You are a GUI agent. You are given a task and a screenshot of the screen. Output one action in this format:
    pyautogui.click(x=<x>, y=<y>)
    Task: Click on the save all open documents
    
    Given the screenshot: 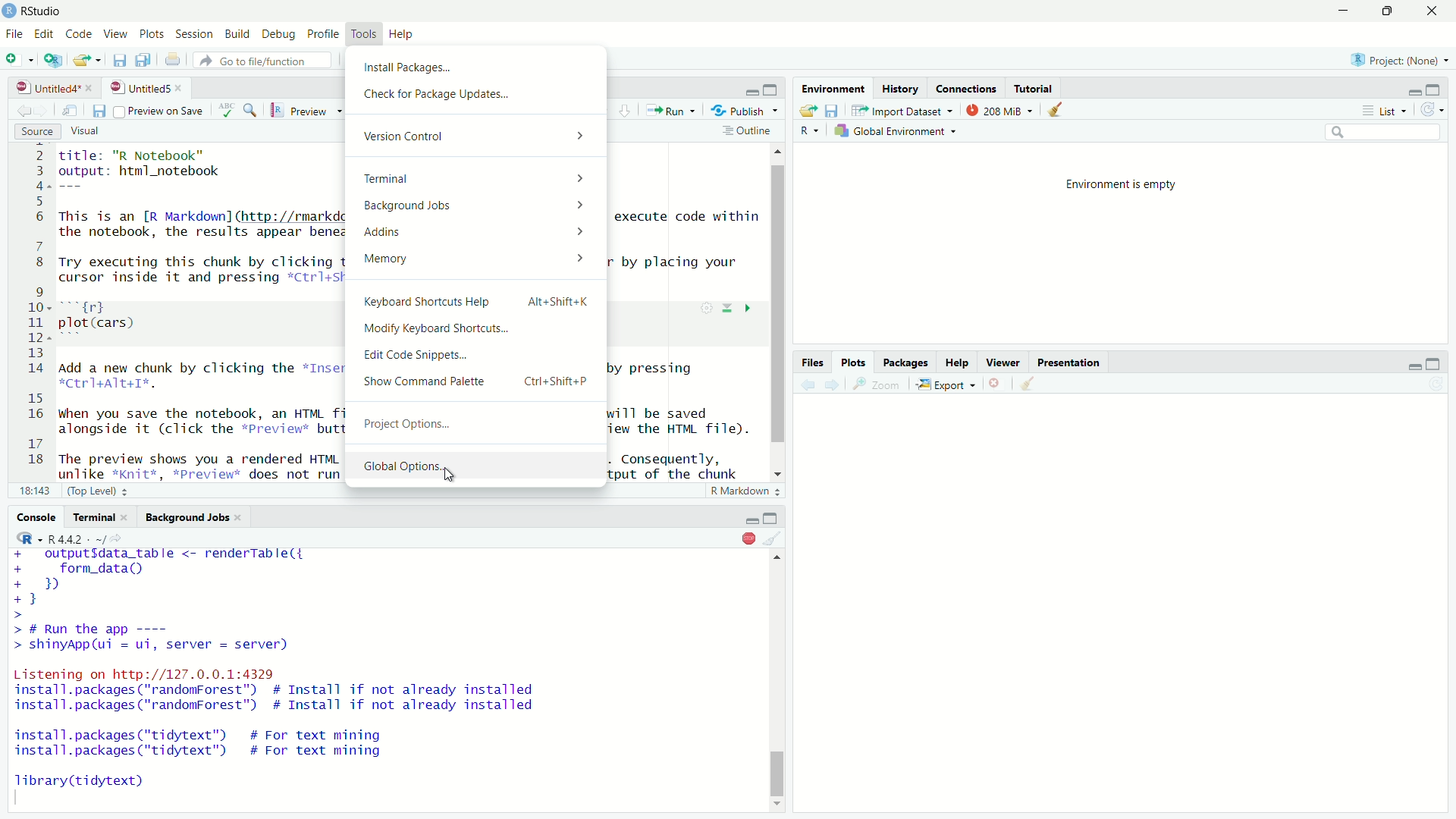 What is the action you would take?
    pyautogui.click(x=145, y=60)
    